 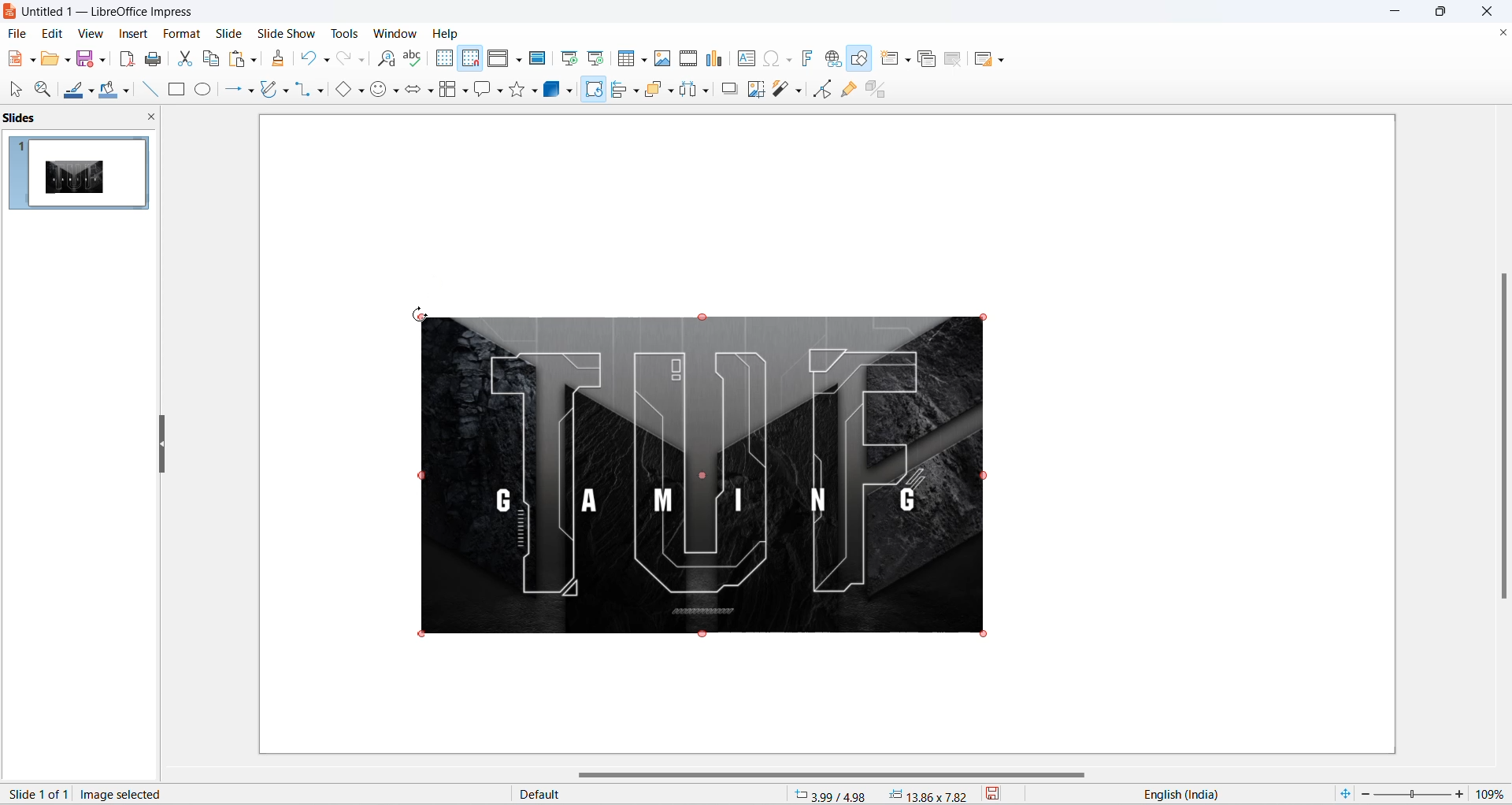 What do you see at coordinates (1492, 11) in the screenshot?
I see `close` at bounding box center [1492, 11].